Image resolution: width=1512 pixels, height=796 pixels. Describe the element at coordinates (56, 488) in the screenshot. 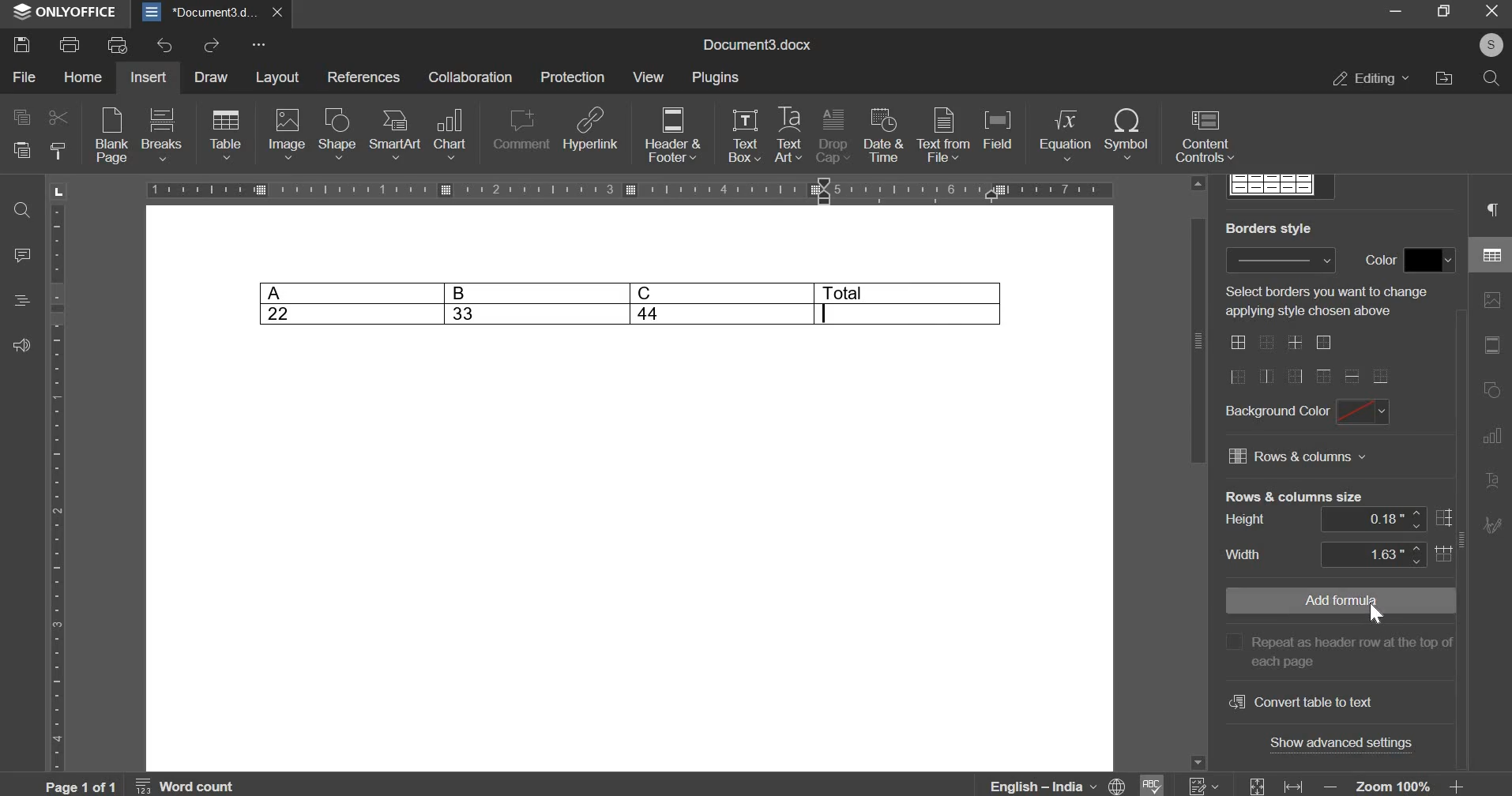

I see `Ruler` at that location.